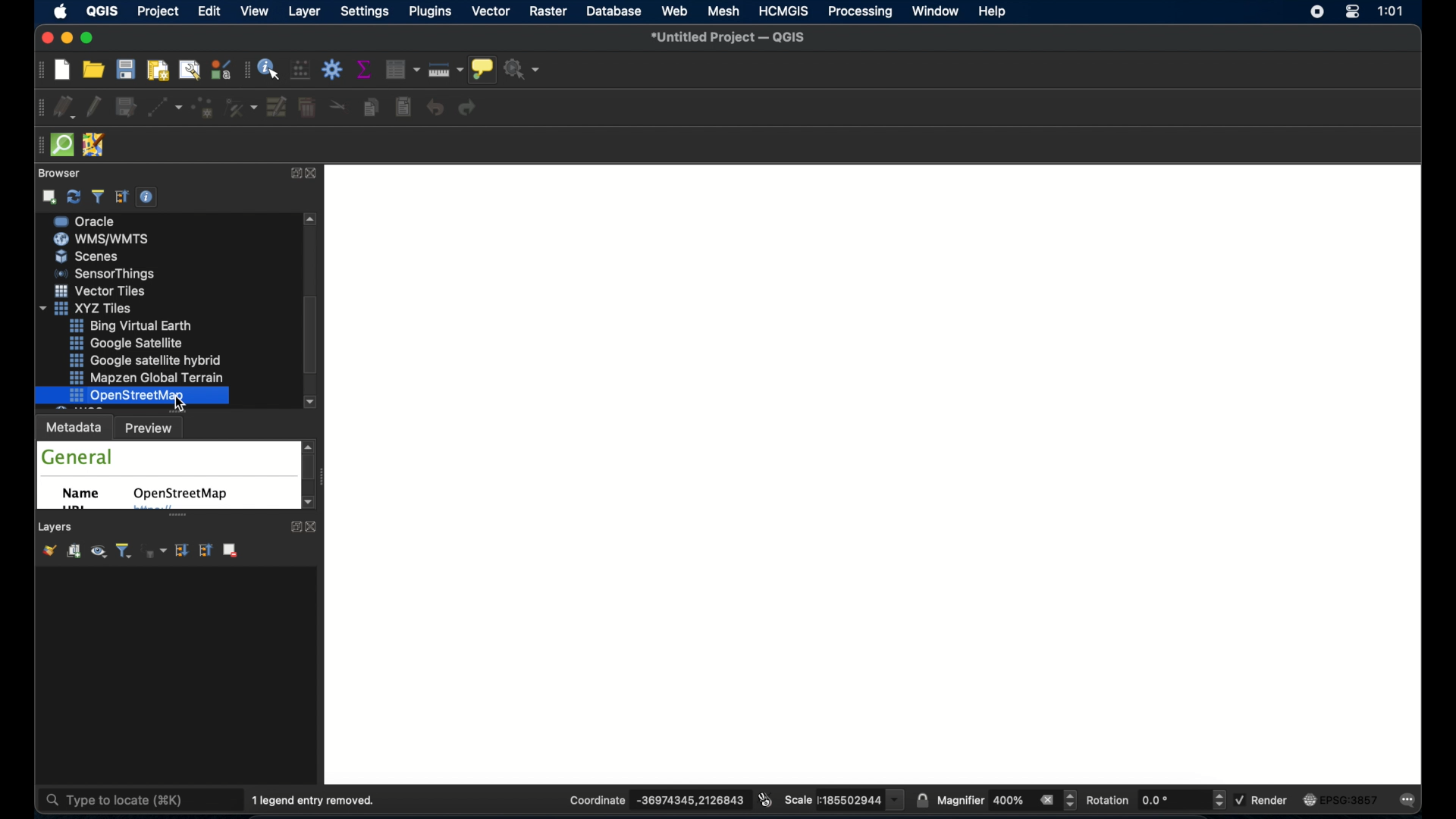 The height and width of the screenshot is (819, 1456). I want to click on toggle editing, so click(96, 108).